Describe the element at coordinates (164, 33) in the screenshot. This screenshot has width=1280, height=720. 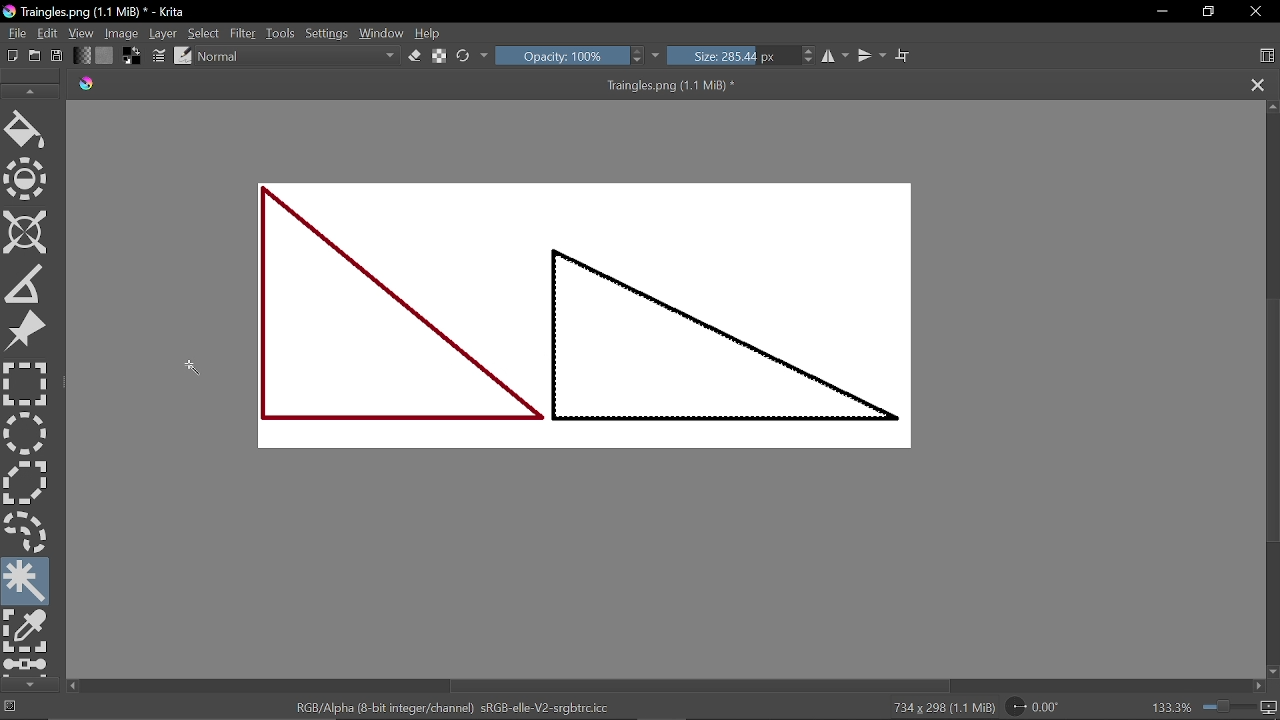
I see `Layer` at that location.